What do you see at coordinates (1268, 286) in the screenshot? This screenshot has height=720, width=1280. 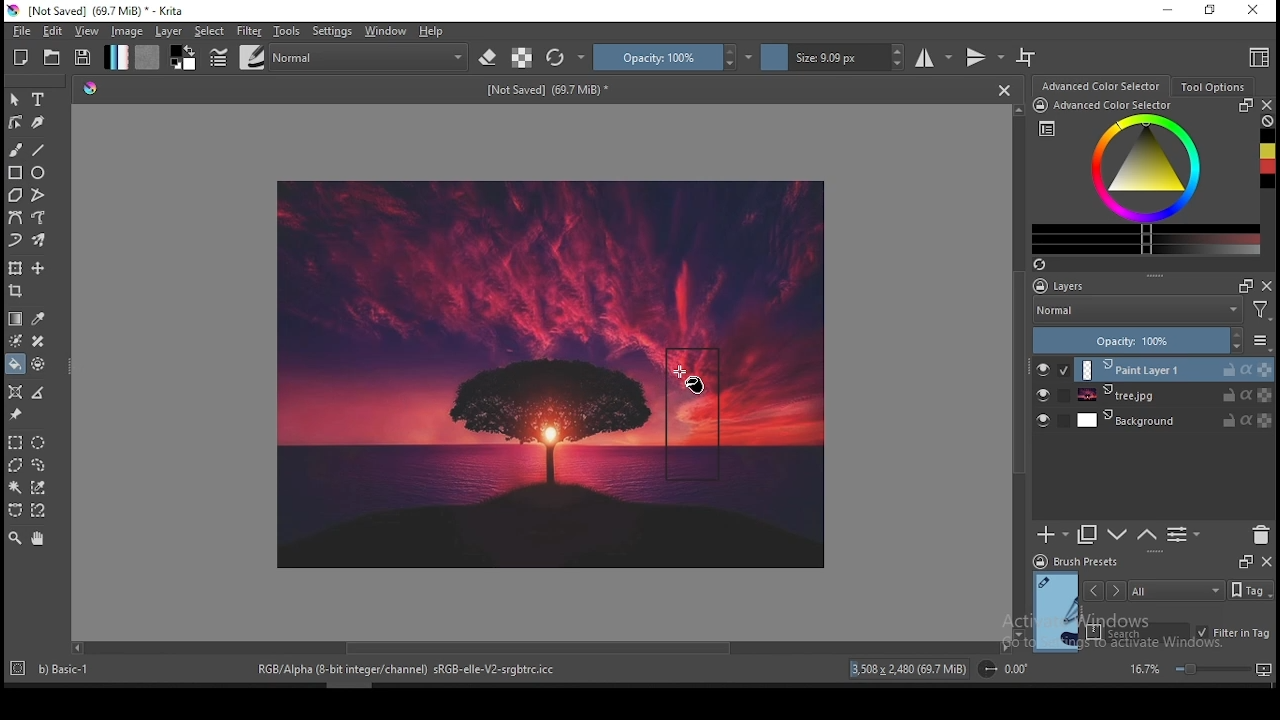 I see `close docker` at bounding box center [1268, 286].